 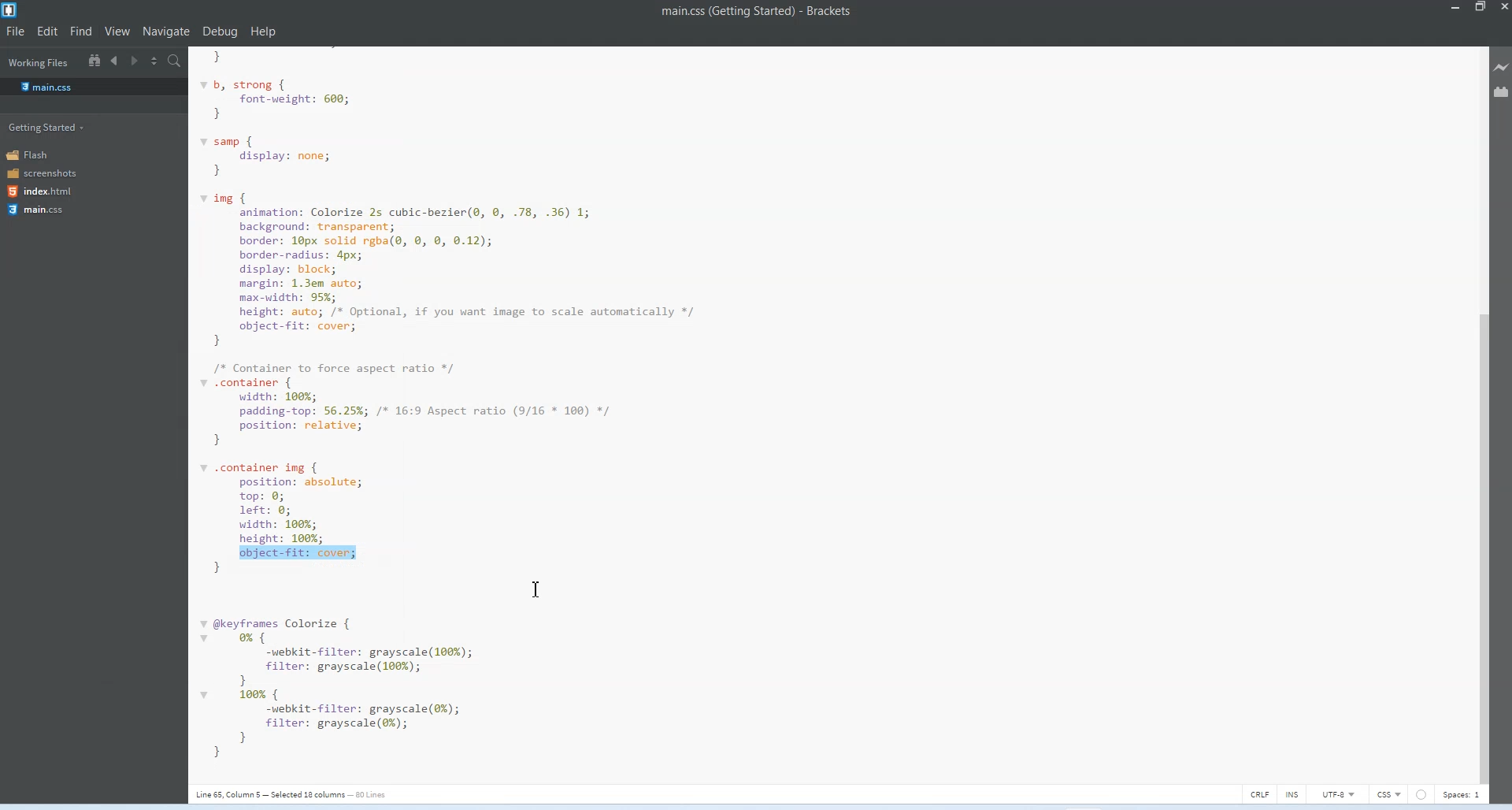 I want to click on Image Aspect ratio and Color Displayed code for end result image output, so click(x=464, y=407).